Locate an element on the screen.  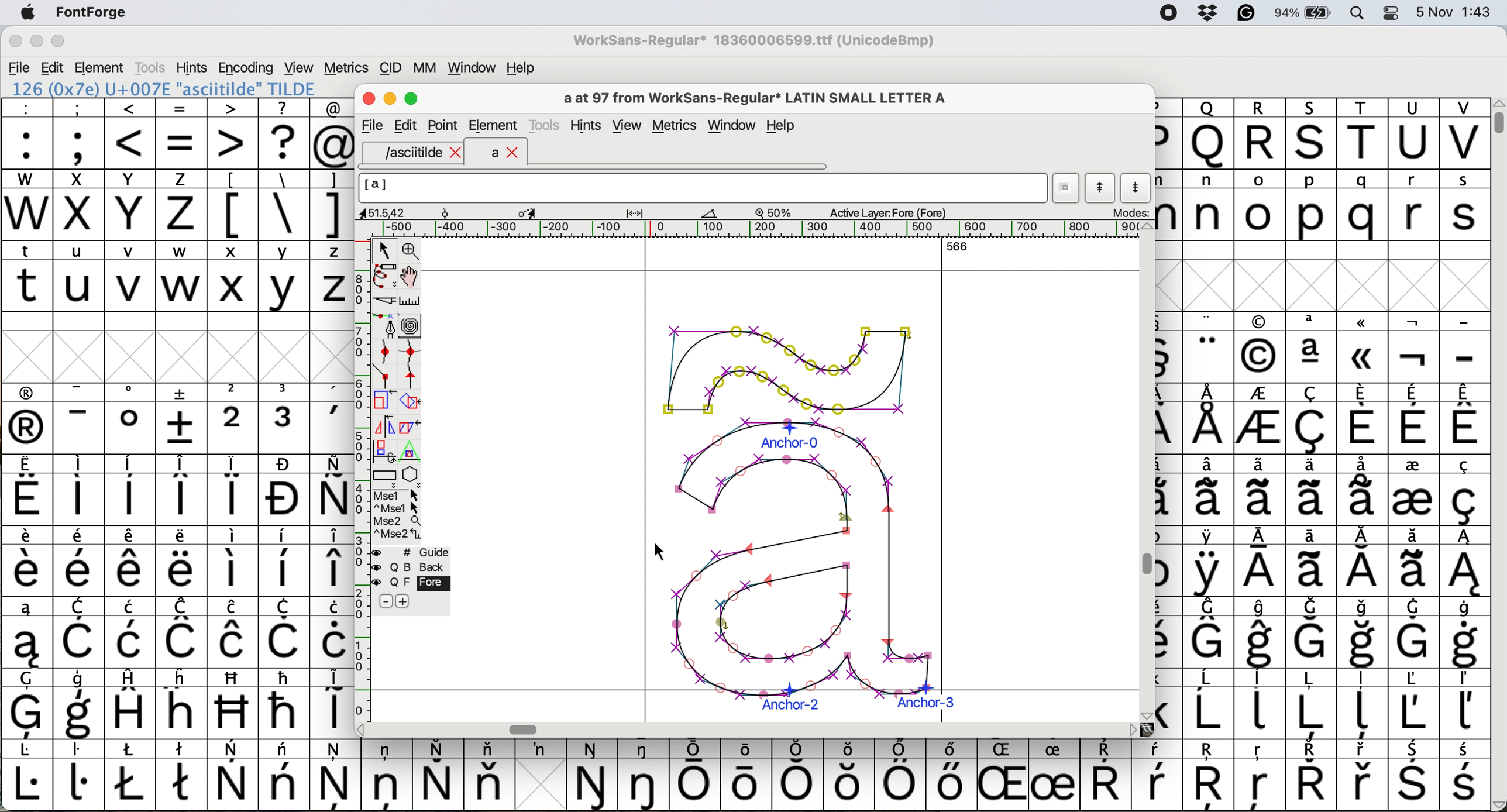
view is located at coordinates (297, 66).